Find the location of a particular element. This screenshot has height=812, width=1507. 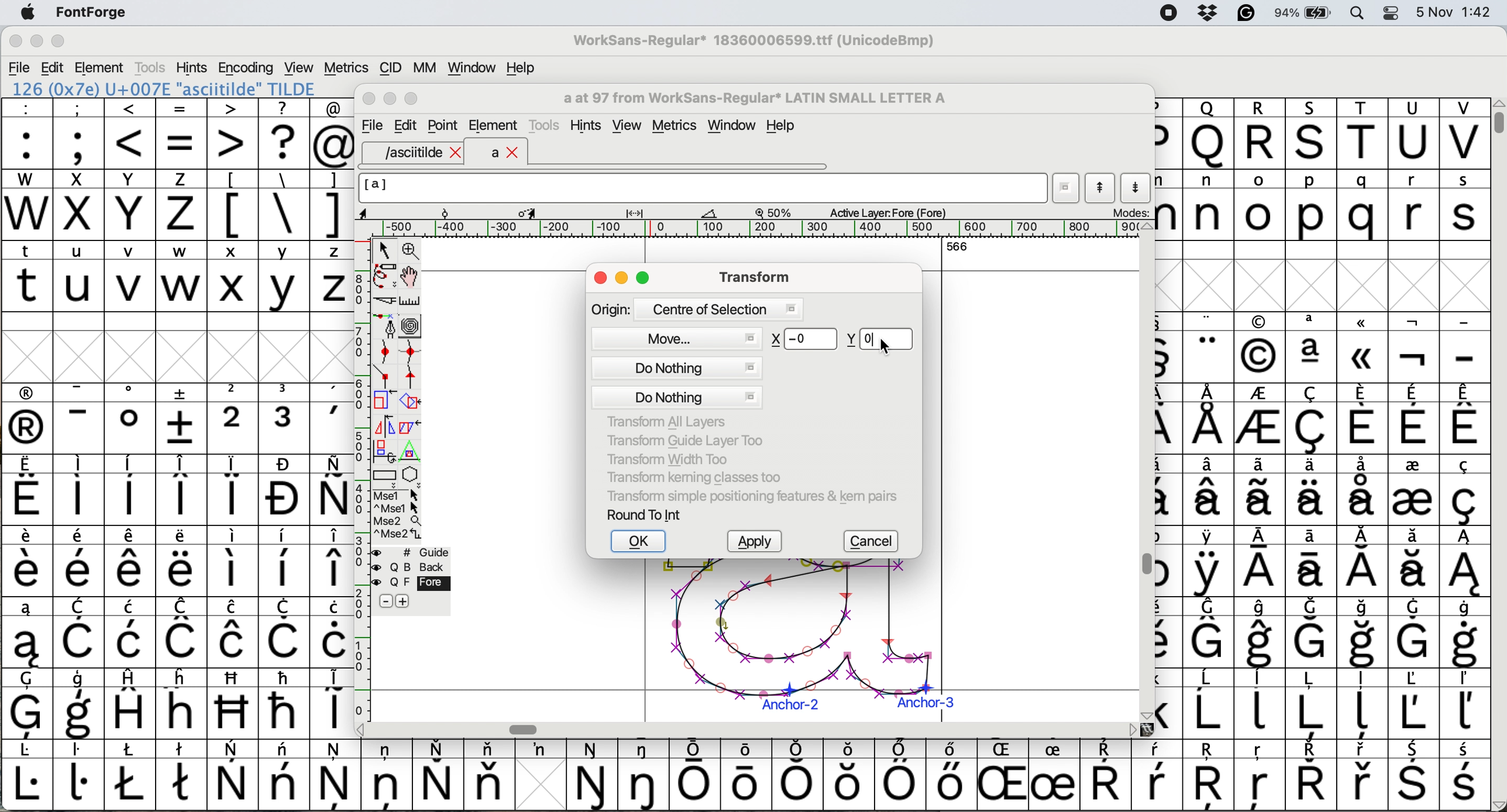

symbol is located at coordinates (233, 560).